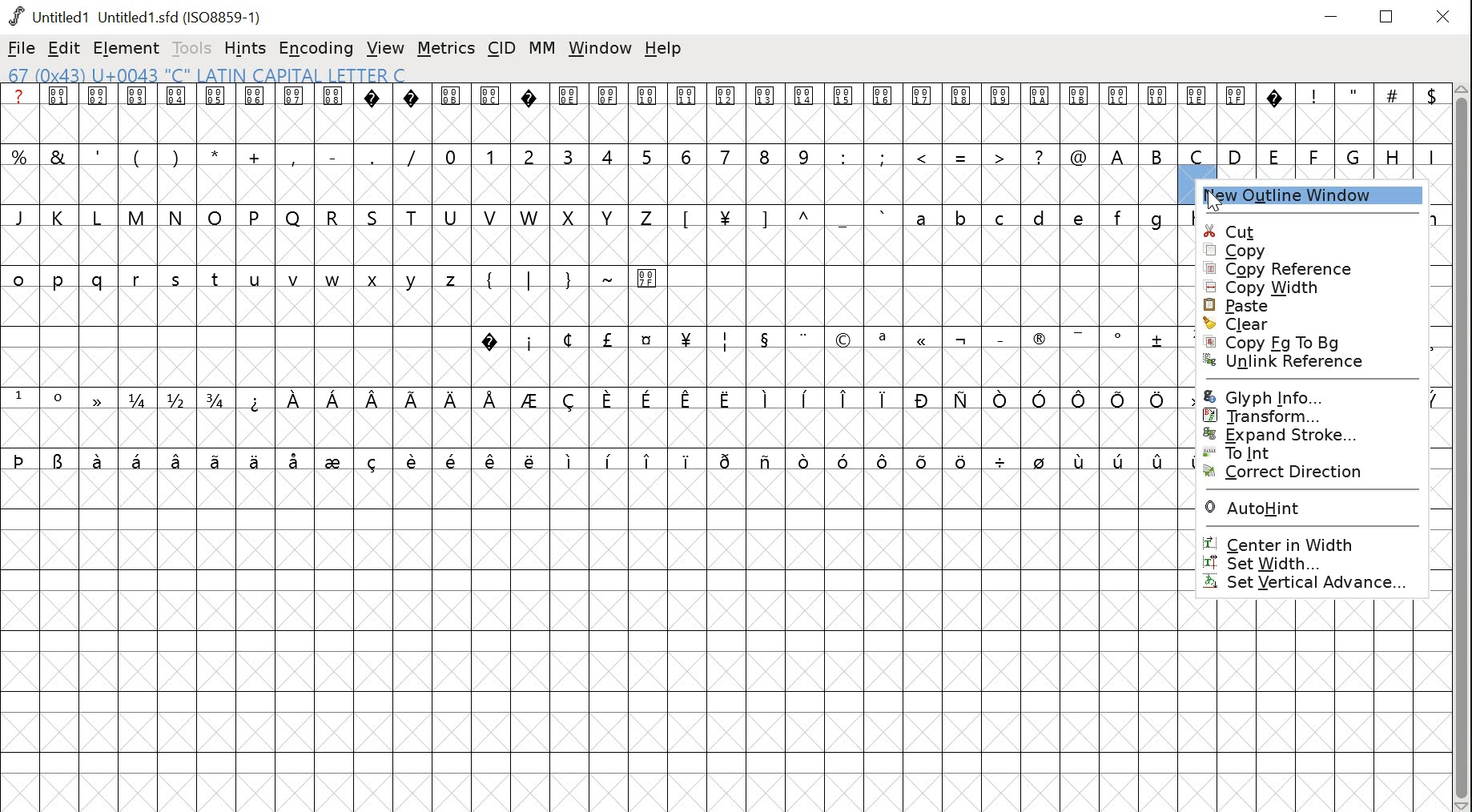 This screenshot has width=1472, height=812. What do you see at coordinates (588, 283) in the screenshot?
I see `glyphs` at bounding box center [588, 283].